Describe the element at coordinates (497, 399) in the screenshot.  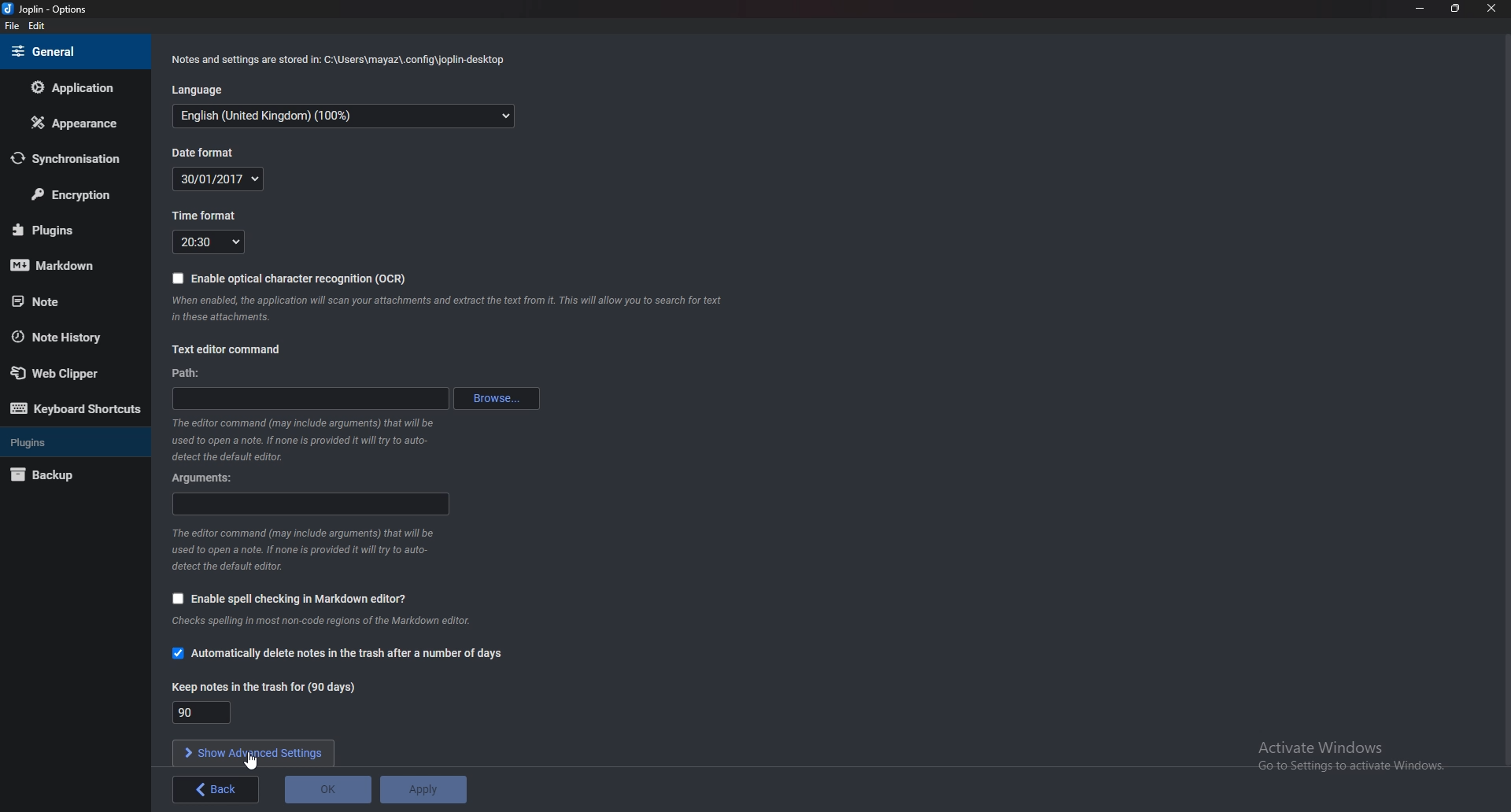
I see `Browse` at that location.